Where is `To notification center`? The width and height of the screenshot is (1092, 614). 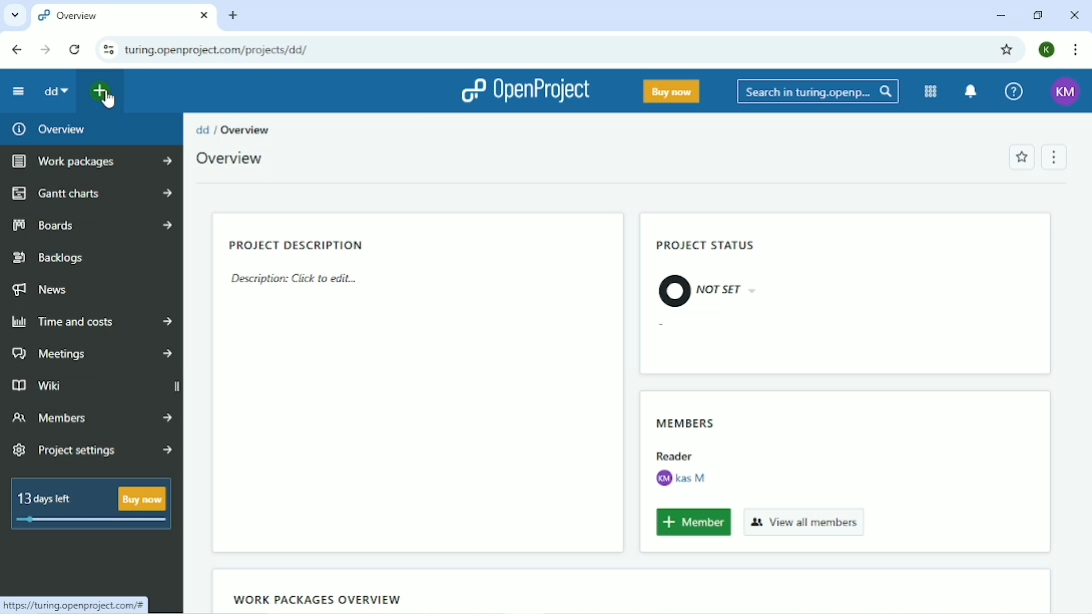
To notification center is located at coordinates (971, 92).